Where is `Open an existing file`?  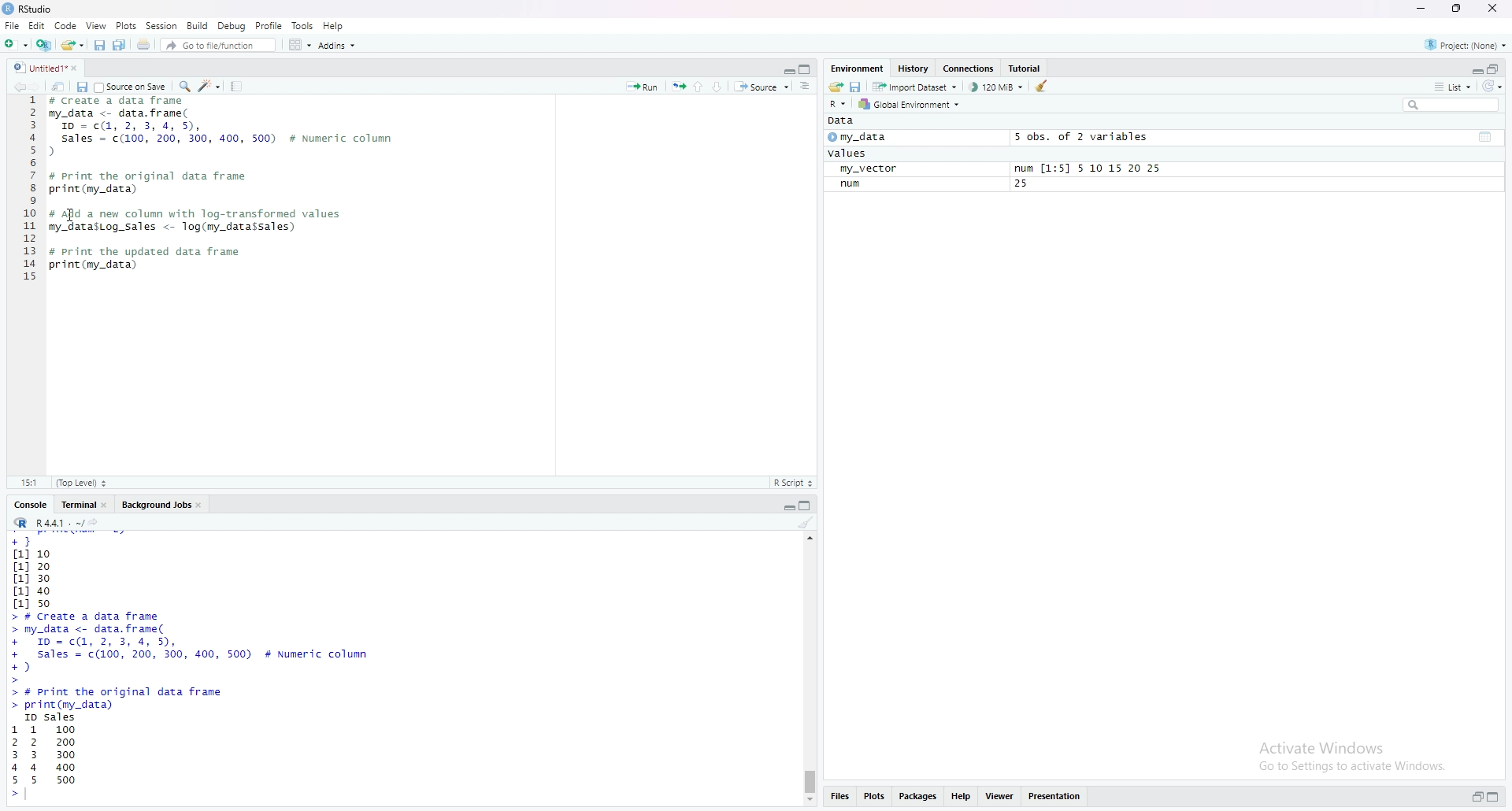
Open an existing file is located at coordinates (73, 46).